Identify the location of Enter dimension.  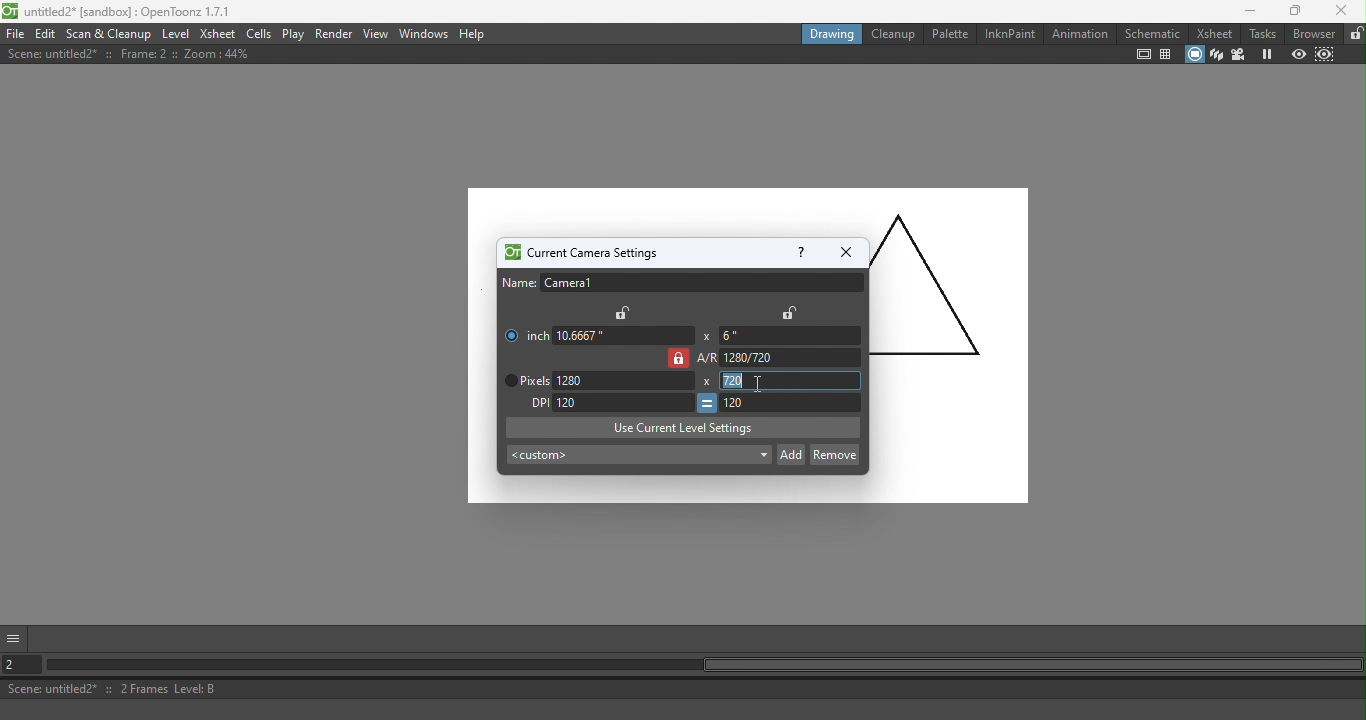
(787, 336).